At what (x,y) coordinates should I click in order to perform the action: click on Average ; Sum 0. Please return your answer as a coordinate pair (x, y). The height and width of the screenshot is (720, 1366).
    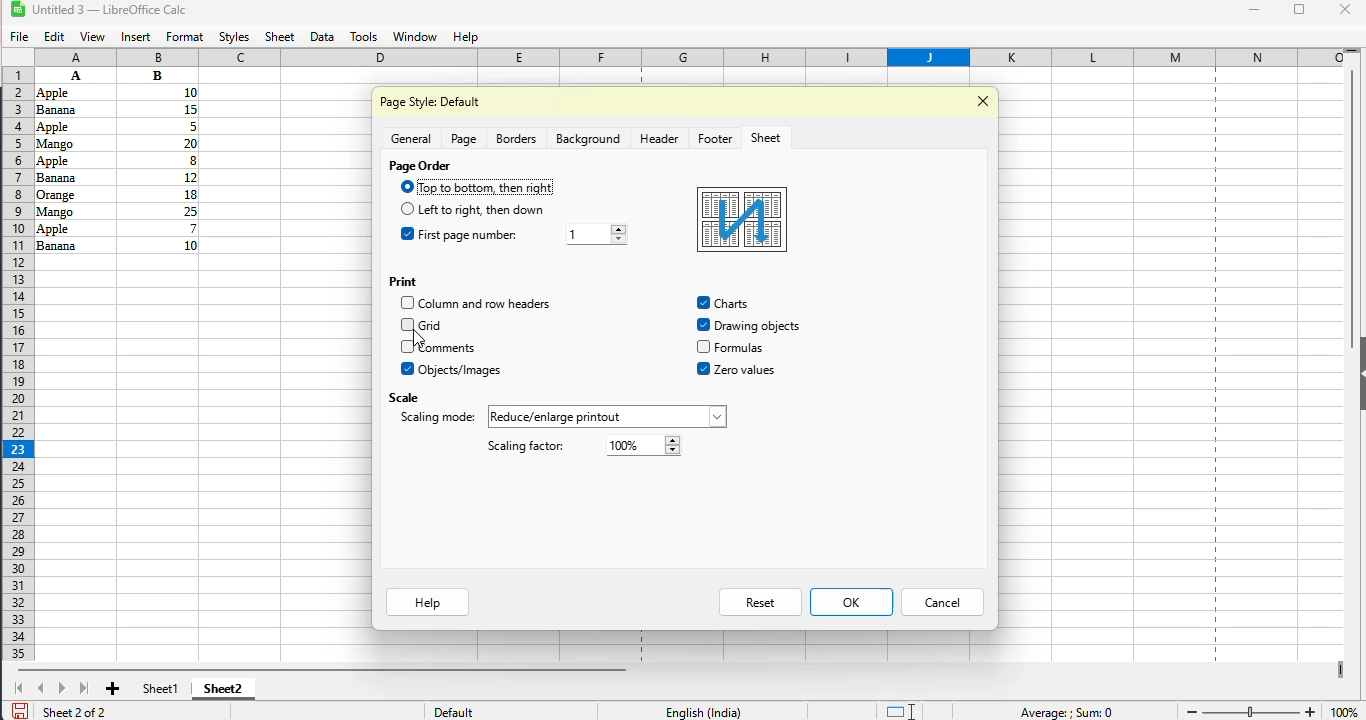
    Looking at the image, I should click on (1065, 712).